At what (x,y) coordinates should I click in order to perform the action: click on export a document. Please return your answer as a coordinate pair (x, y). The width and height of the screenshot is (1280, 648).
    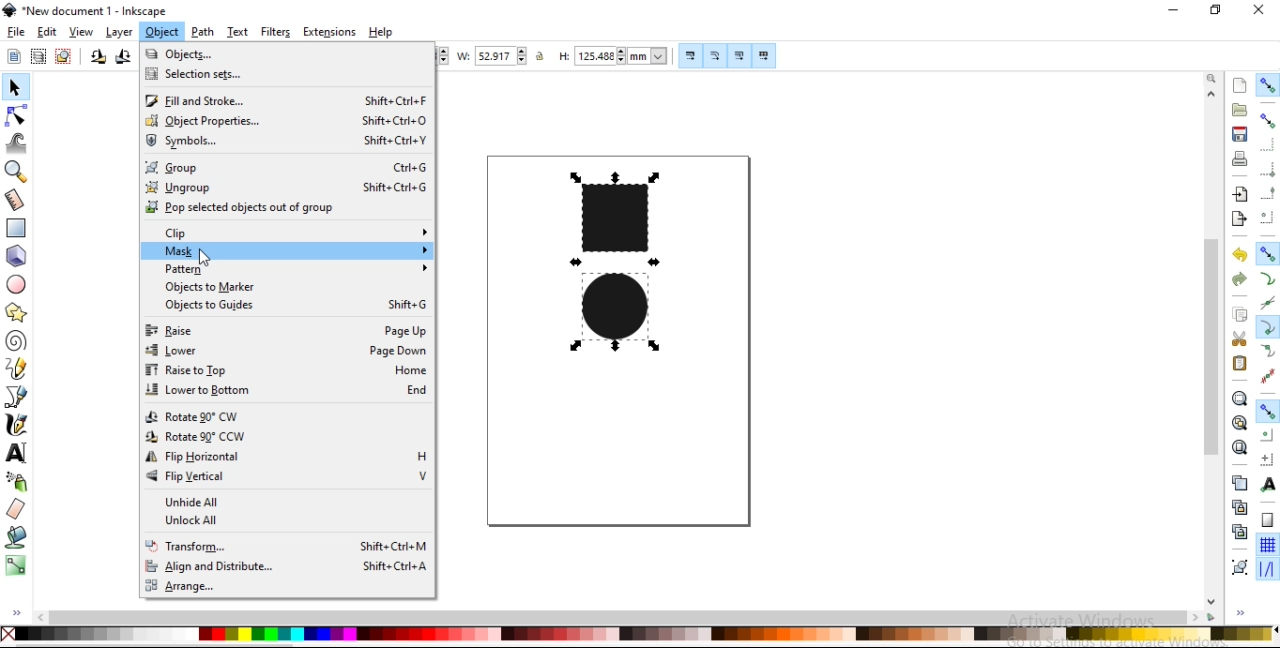
    Looking at the image, I should click on (1237, 220).